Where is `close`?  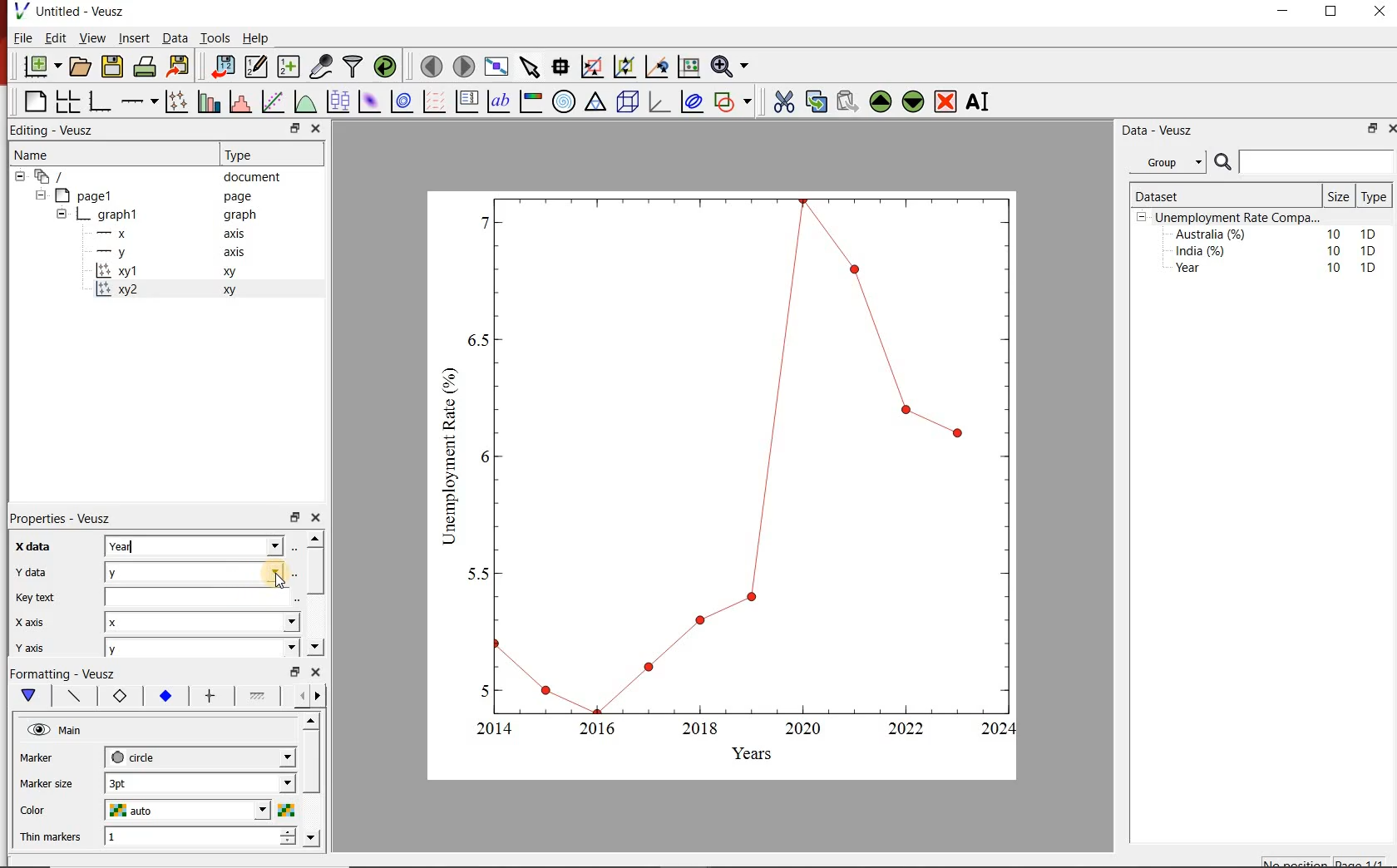
close is located at coordinates (1378, 15).